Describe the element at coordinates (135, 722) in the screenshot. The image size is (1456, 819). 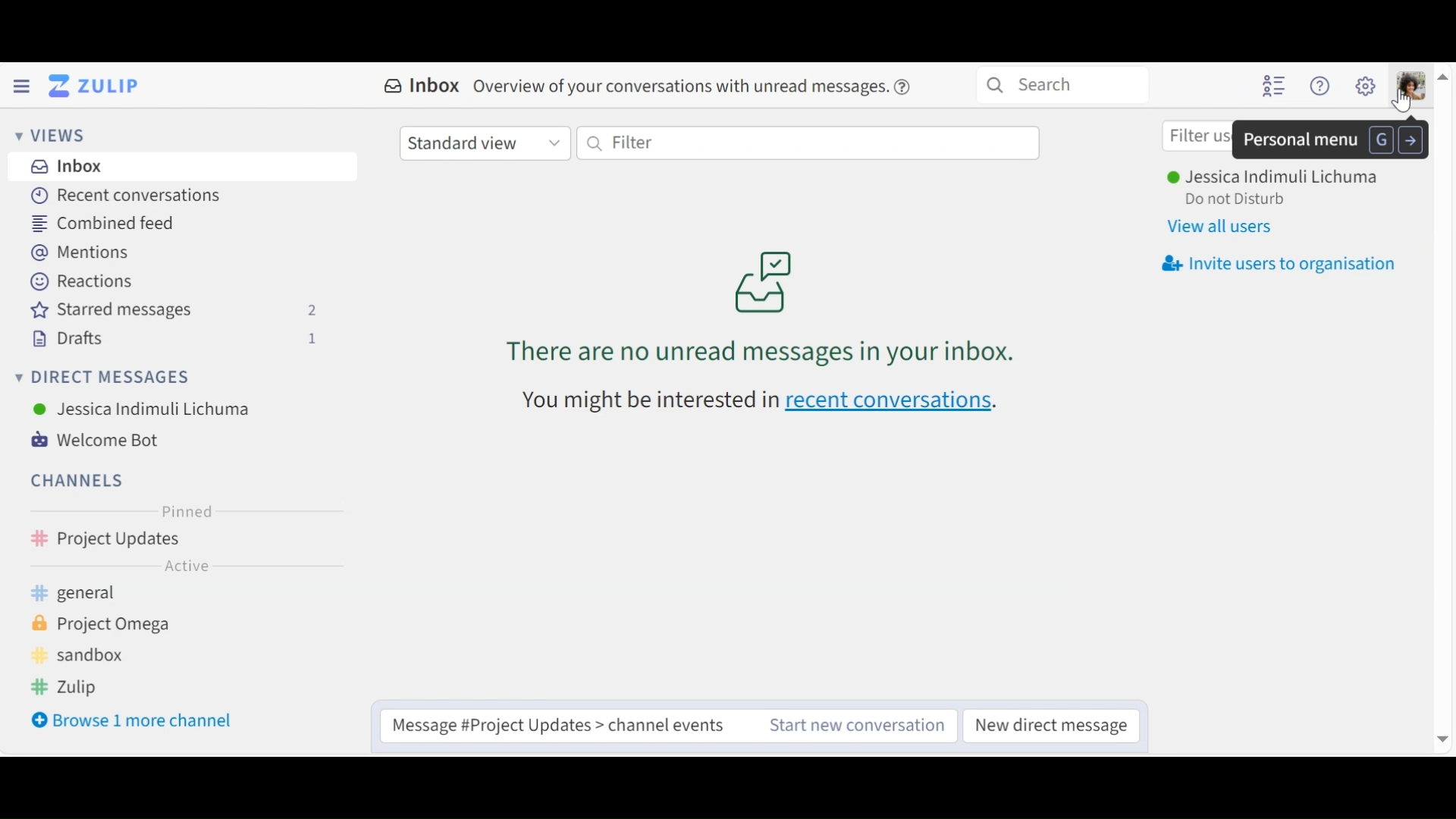
I see `Browse 1 more channel` at that location.